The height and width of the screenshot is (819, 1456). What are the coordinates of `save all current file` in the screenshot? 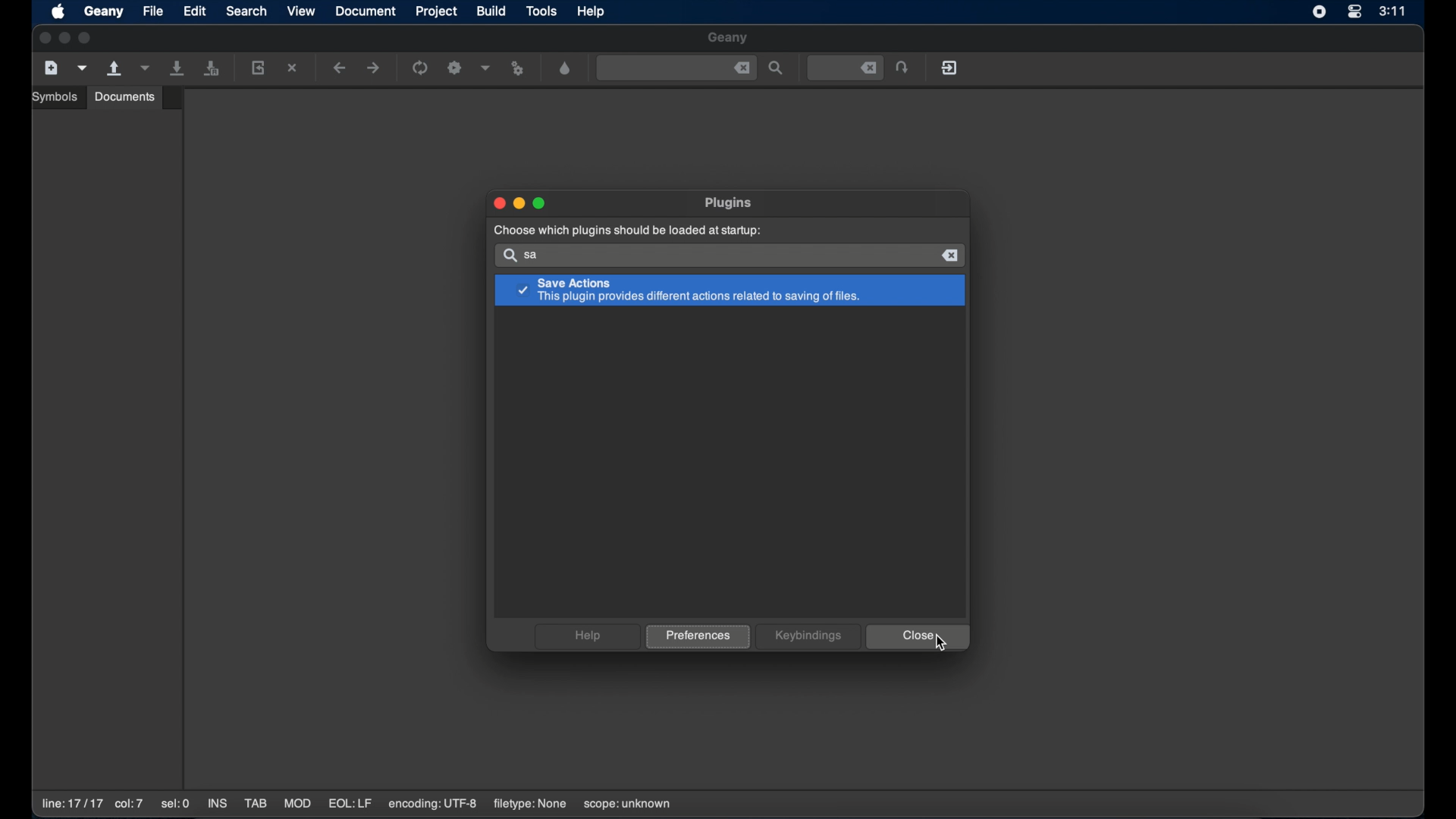 It's located at (178, 68).